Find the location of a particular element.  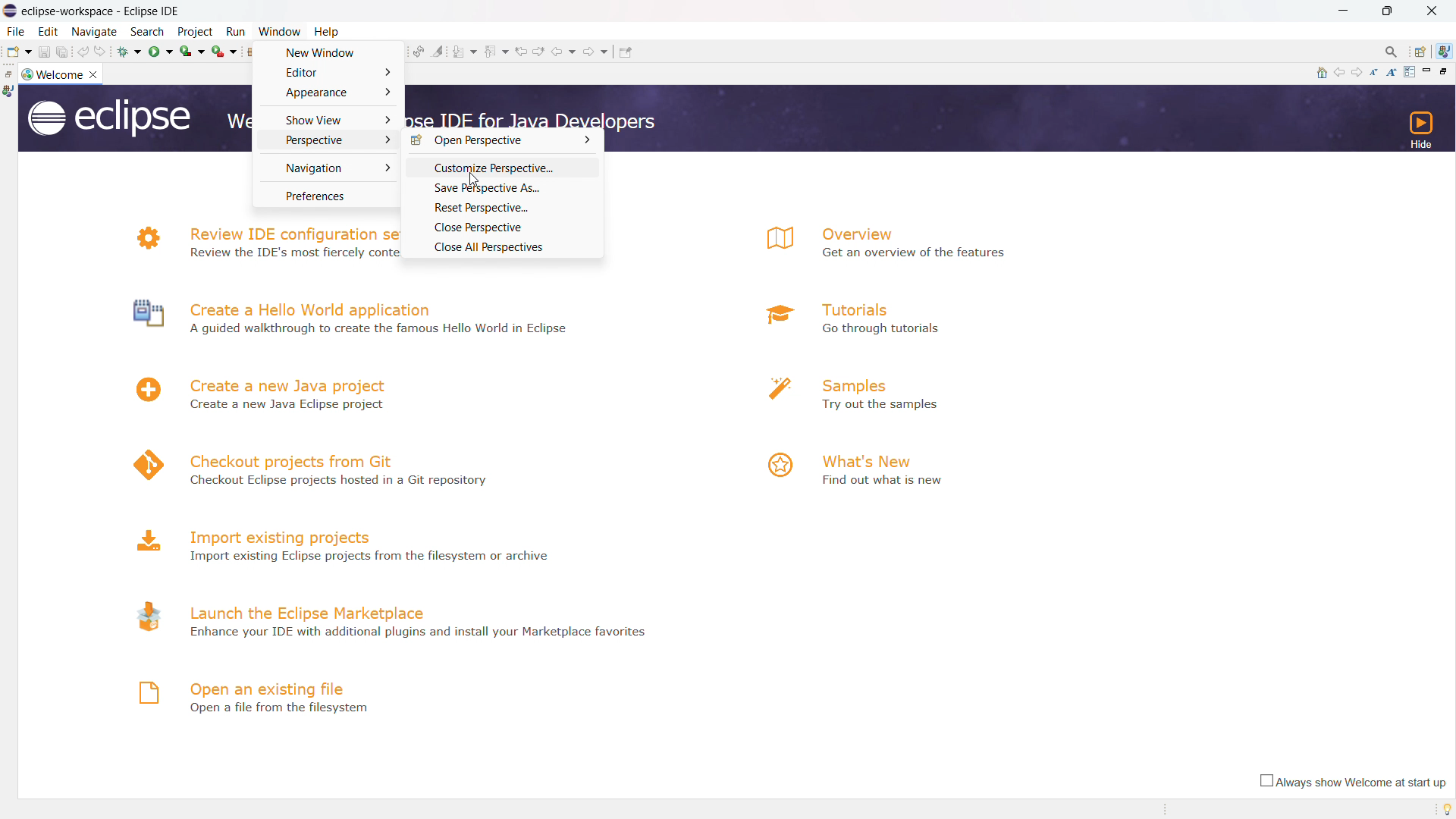

checkout projects from git is located at coordinates (293, 460).